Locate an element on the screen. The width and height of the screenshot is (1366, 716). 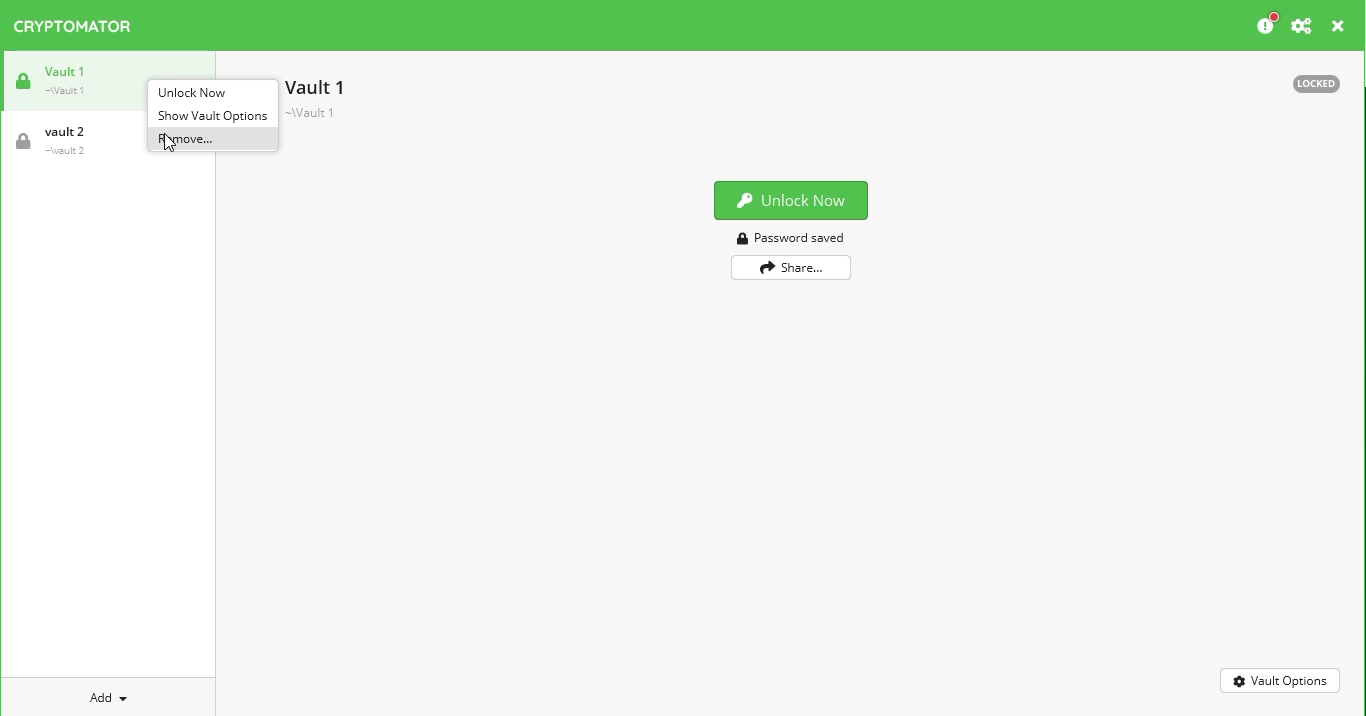
cursor is located at coordinates (169, 144).